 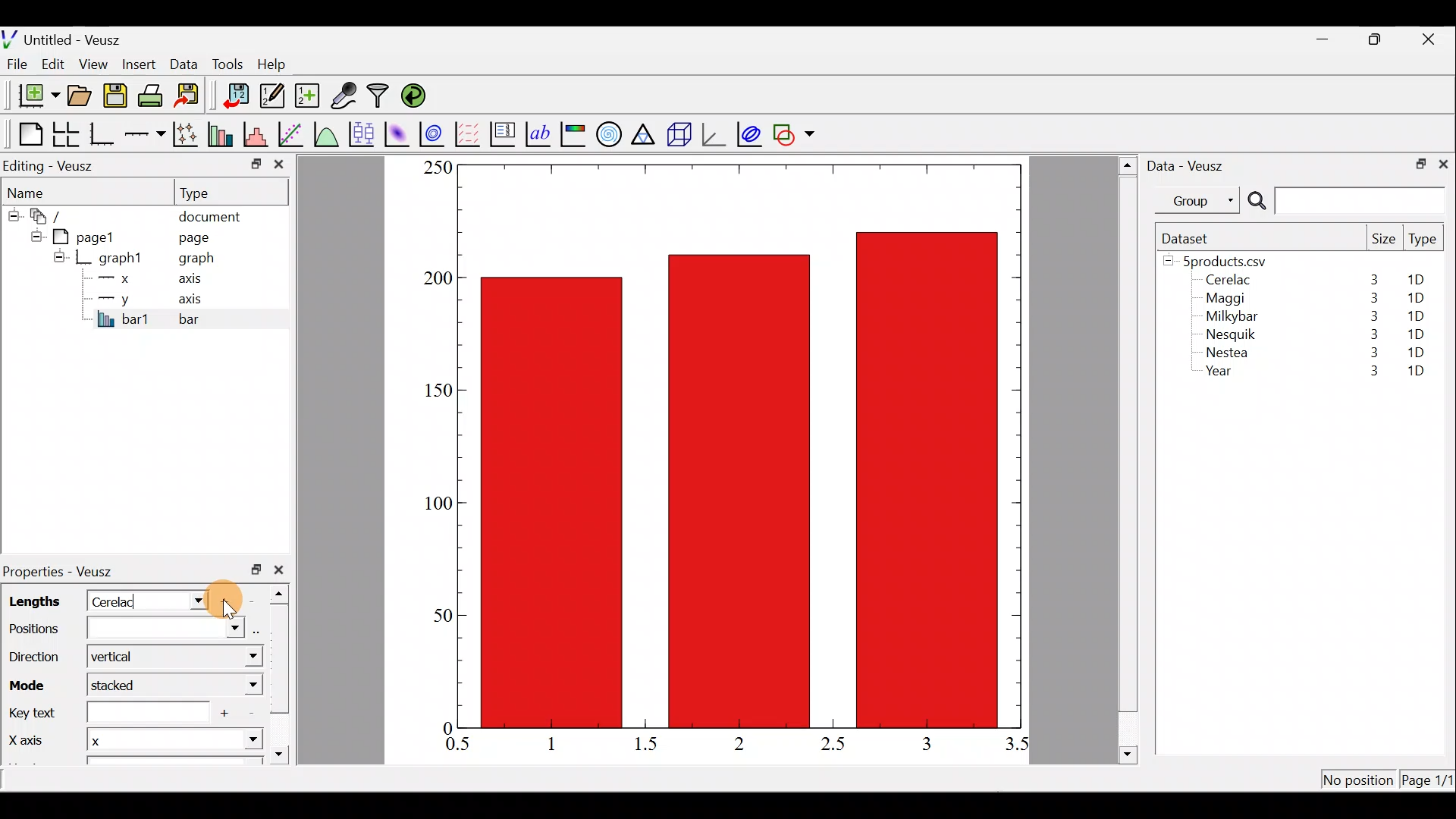 What do you see at coordinates (438, 279) in the screenshot?
I see `200` at bounding box center [438, 279].